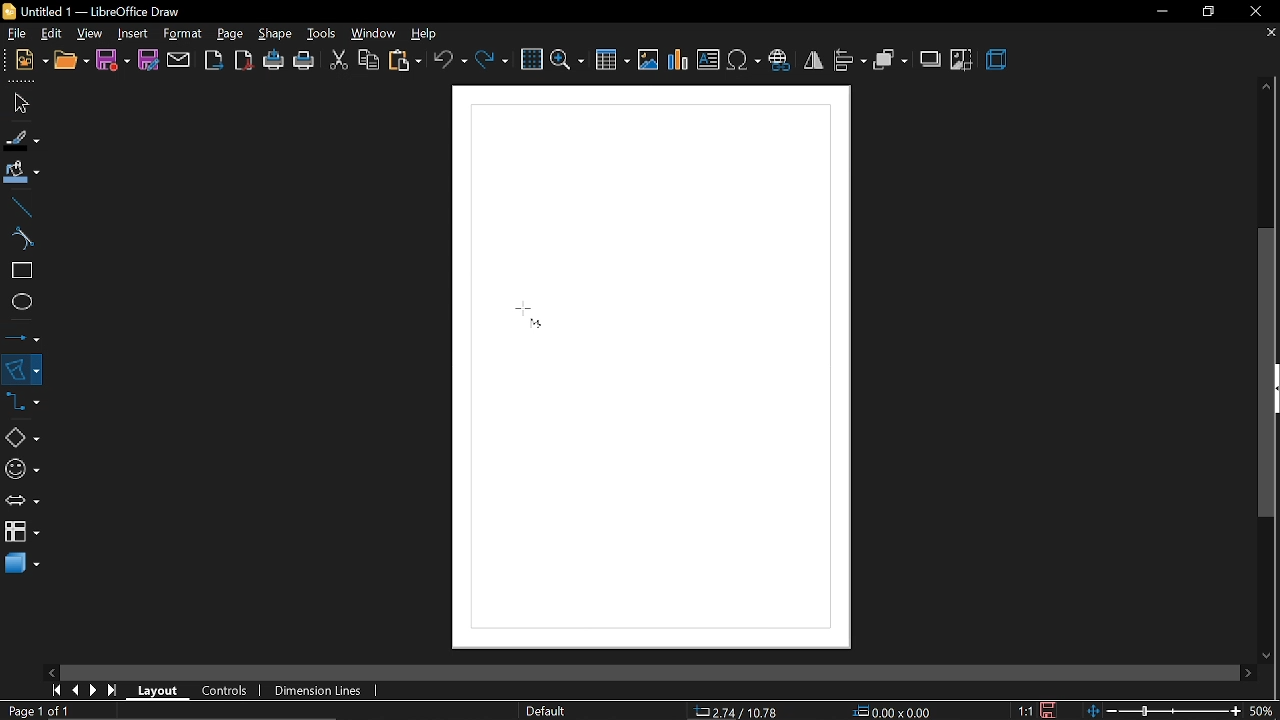  I want to click on save, so click(113, 60).